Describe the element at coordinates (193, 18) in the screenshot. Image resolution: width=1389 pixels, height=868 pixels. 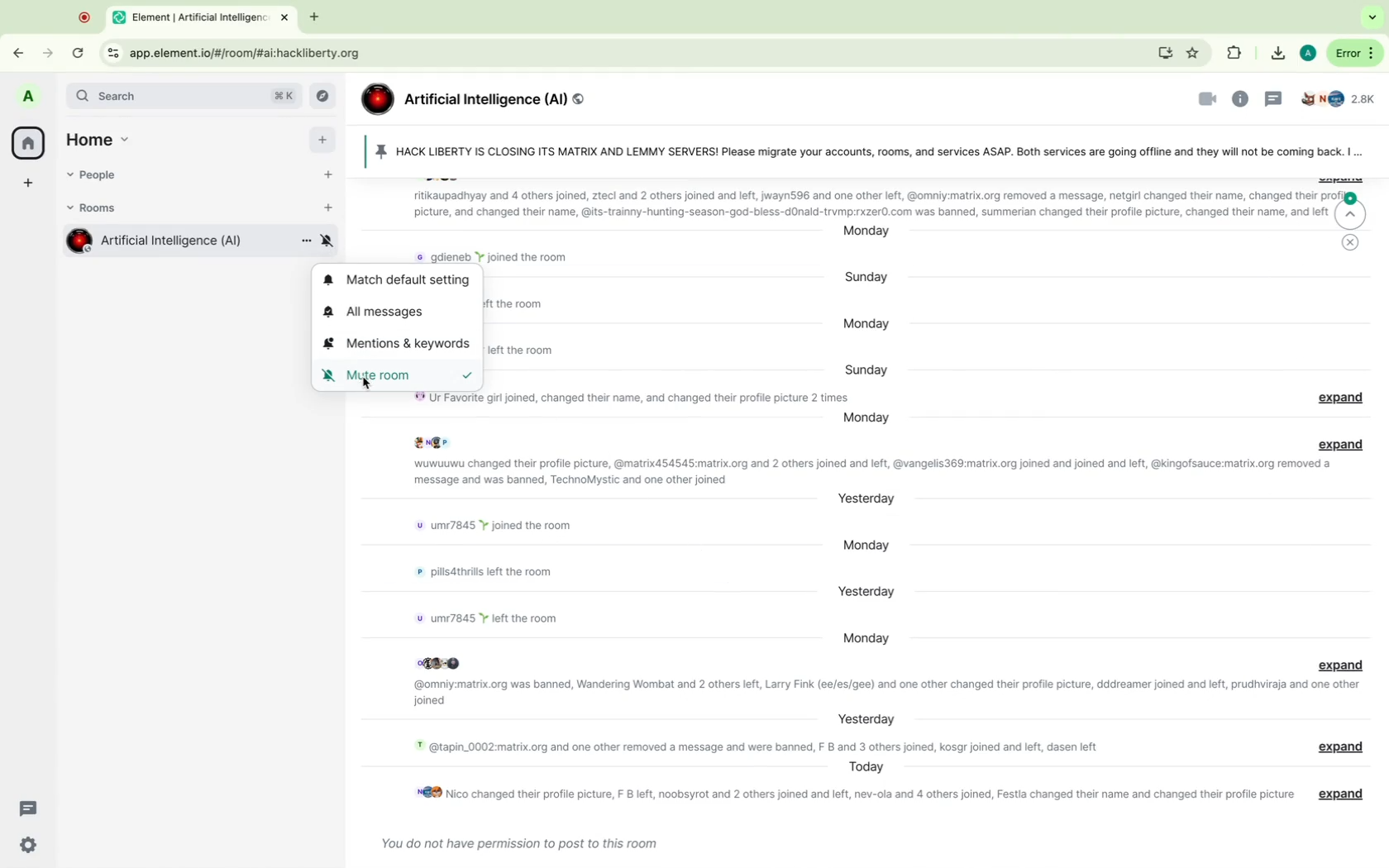
I see `tab` at that location.